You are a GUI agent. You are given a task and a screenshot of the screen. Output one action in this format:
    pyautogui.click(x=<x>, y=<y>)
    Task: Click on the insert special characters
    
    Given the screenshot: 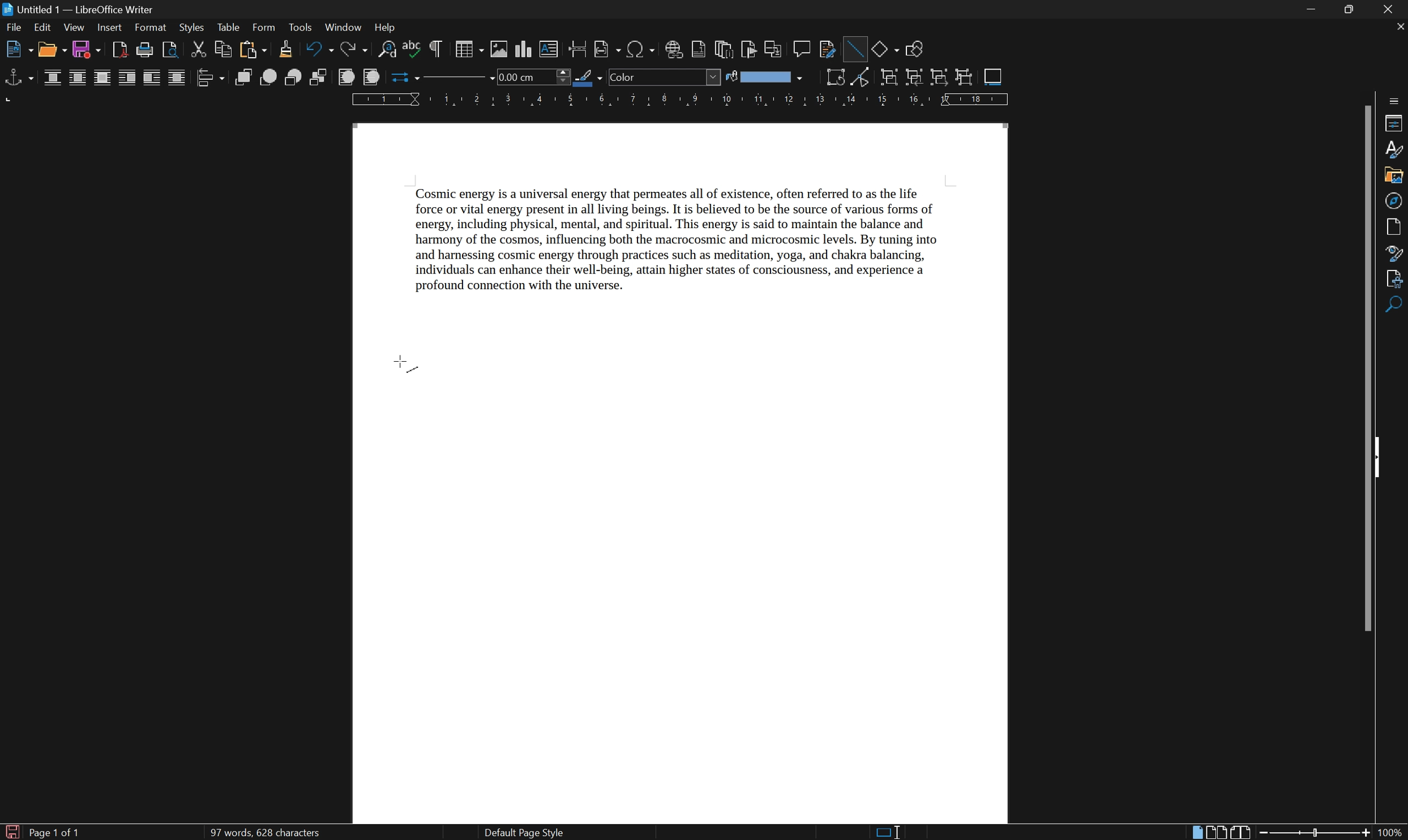 What is the action you would take?
    pyautogui.click(x=641, y=49)
    